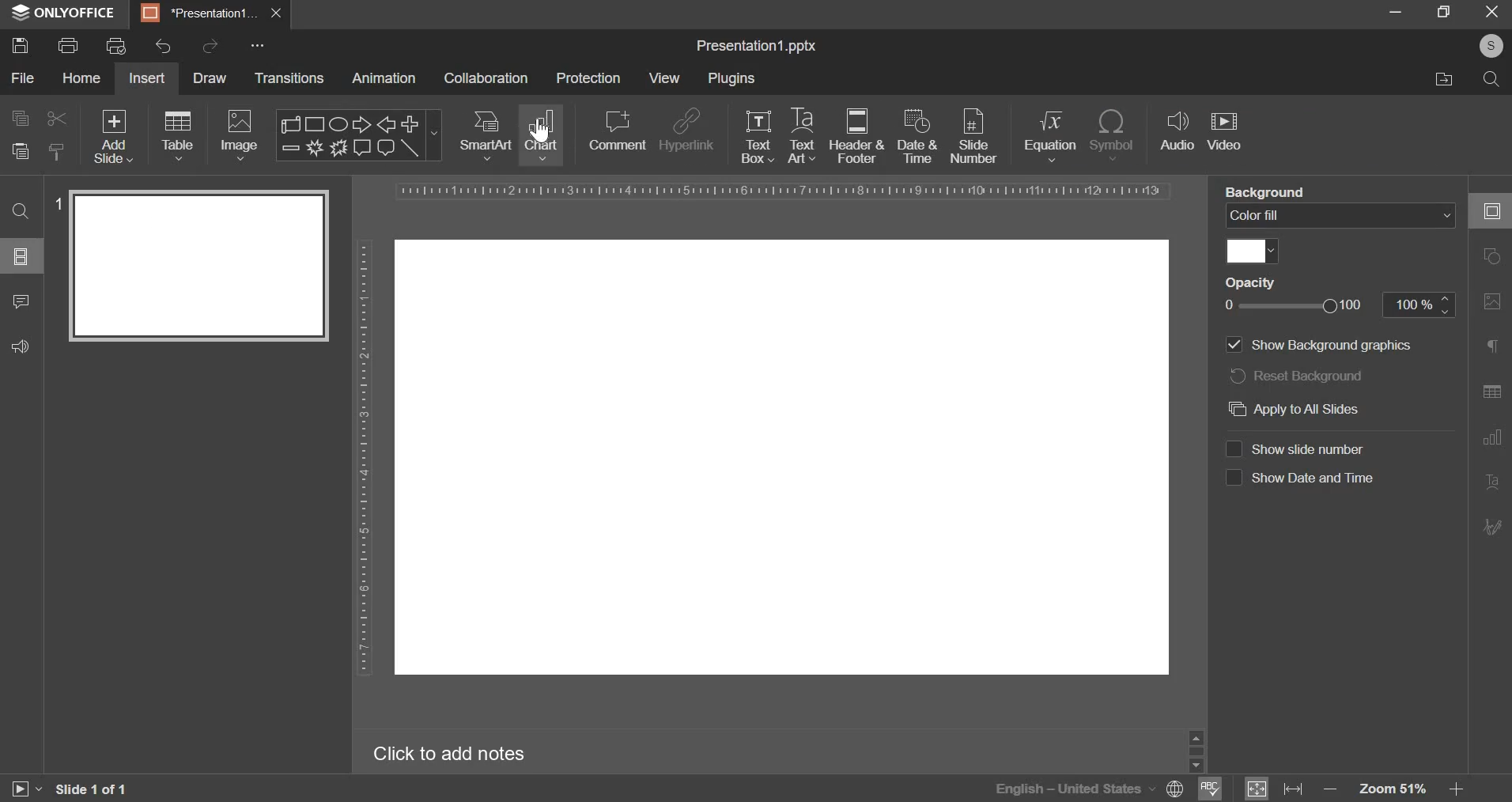  Describe the element at coordinates (54, 119) in the screenshot. I see `cut` at that location.